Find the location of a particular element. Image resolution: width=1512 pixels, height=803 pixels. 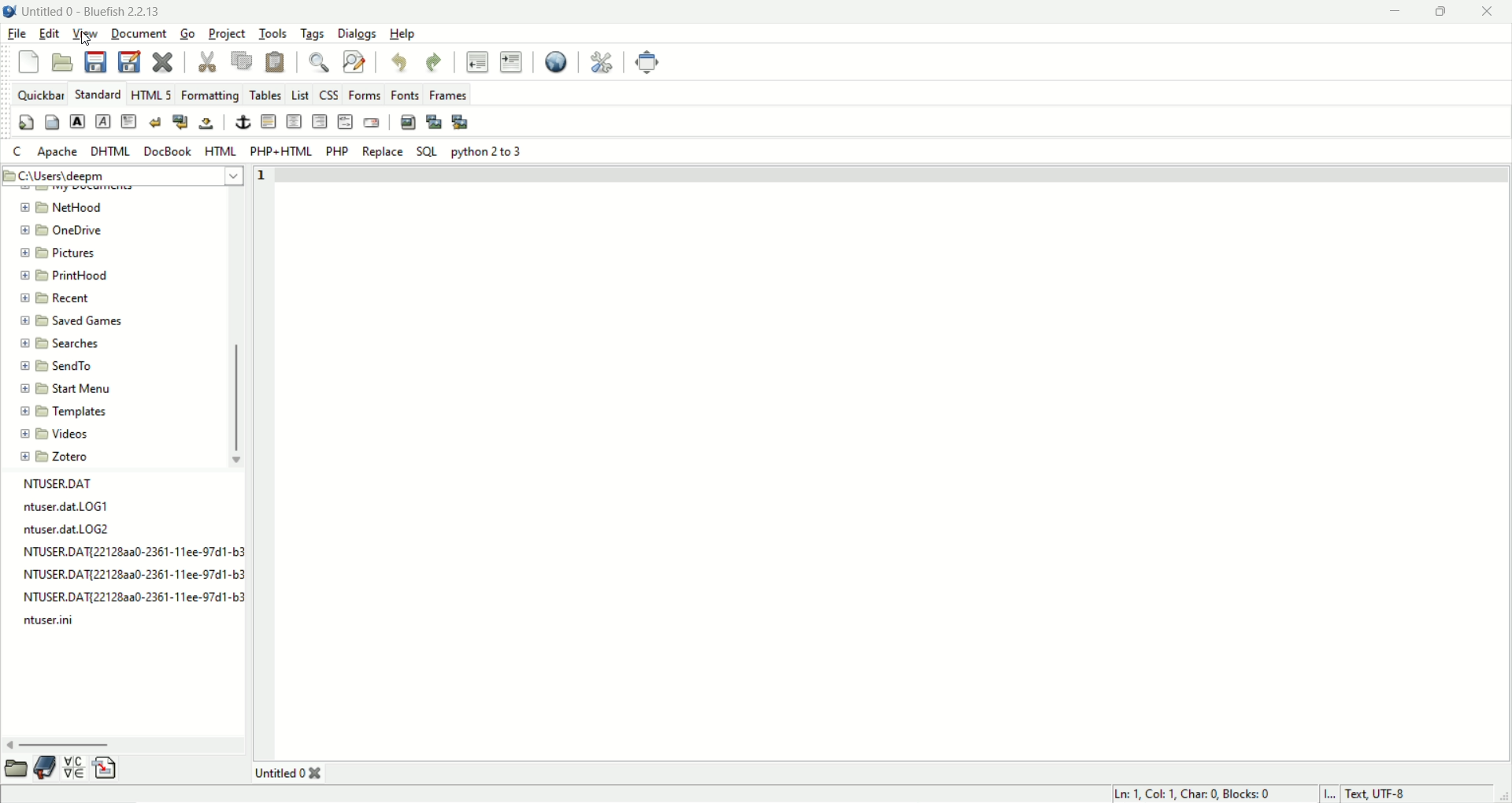

list is located at coordinates (299, 94).